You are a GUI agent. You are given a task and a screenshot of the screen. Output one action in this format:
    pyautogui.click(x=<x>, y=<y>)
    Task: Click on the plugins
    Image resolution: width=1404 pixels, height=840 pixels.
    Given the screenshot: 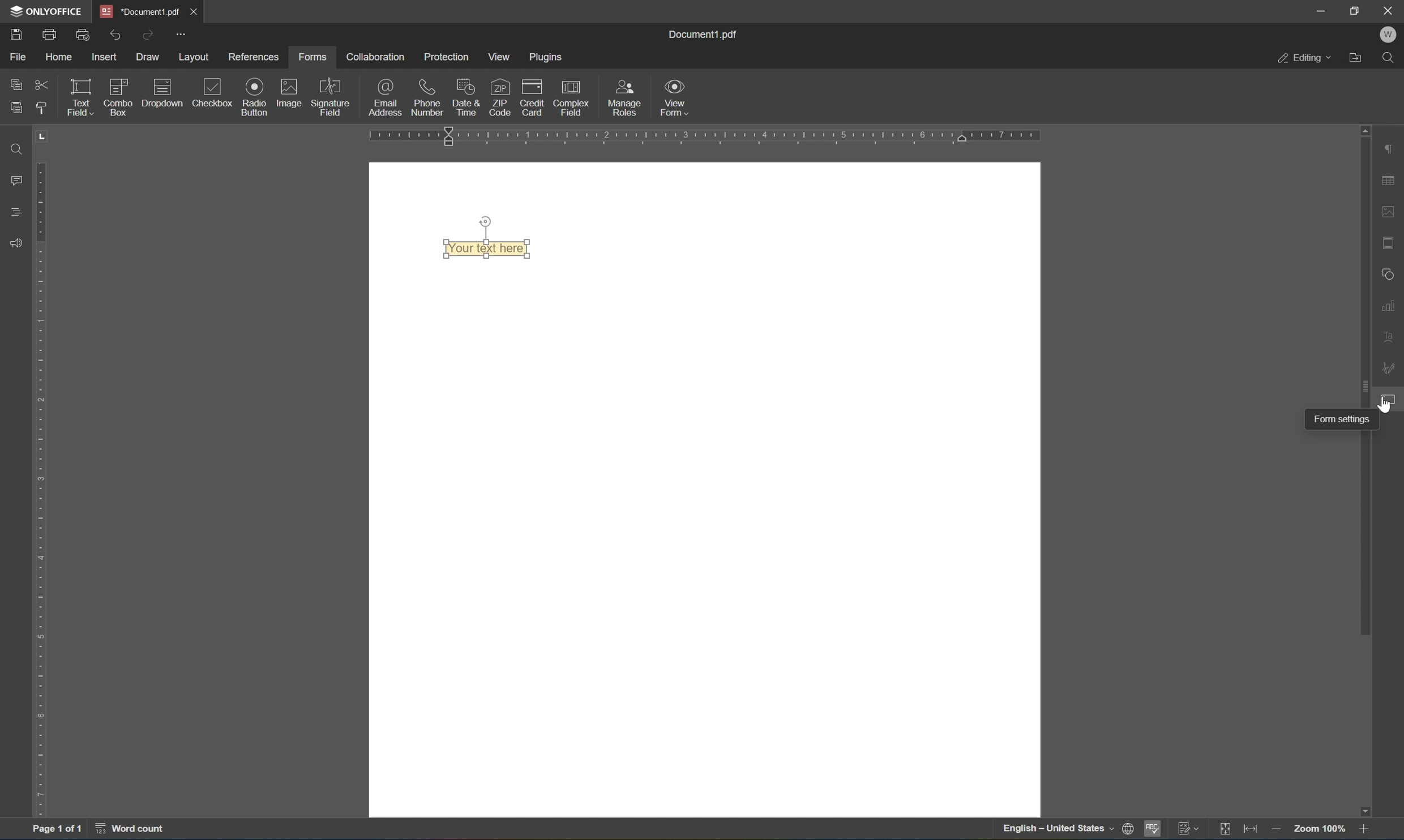 What is the action you would take?
    pyautogui.click(x=549, y=57)
    